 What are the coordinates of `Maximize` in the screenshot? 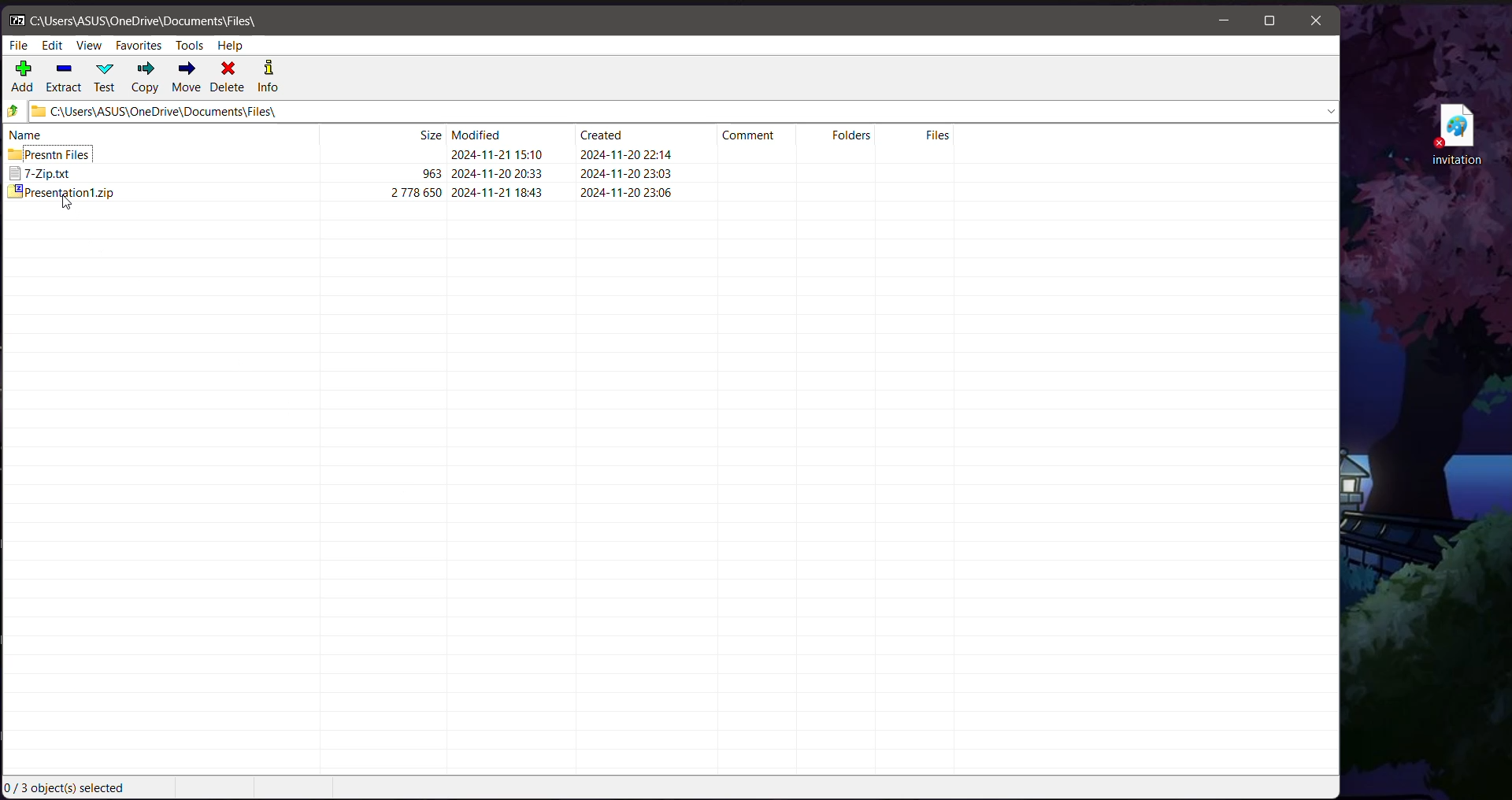 It's located at (1269, 22).